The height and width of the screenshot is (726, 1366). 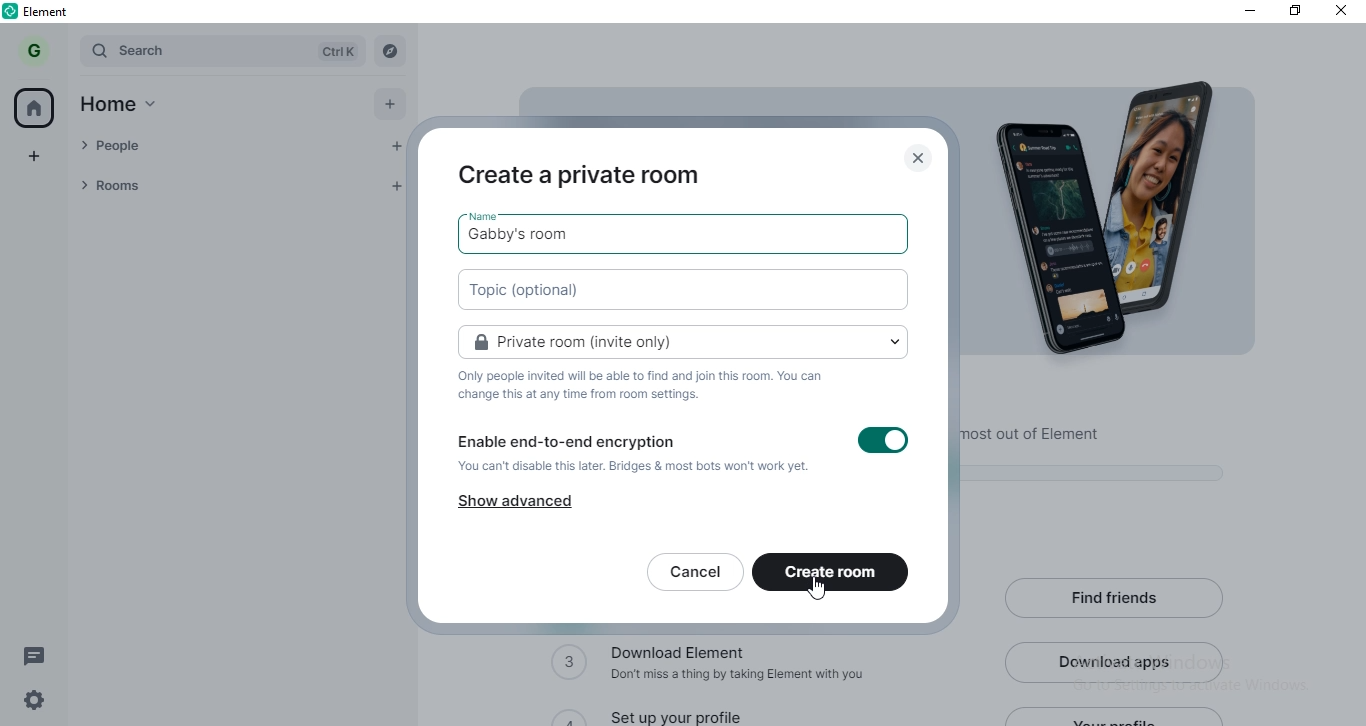 What do you see at coordinates (686, 232) in the screenshot?
I see `gabby's room` at bounding box center [686, 232].